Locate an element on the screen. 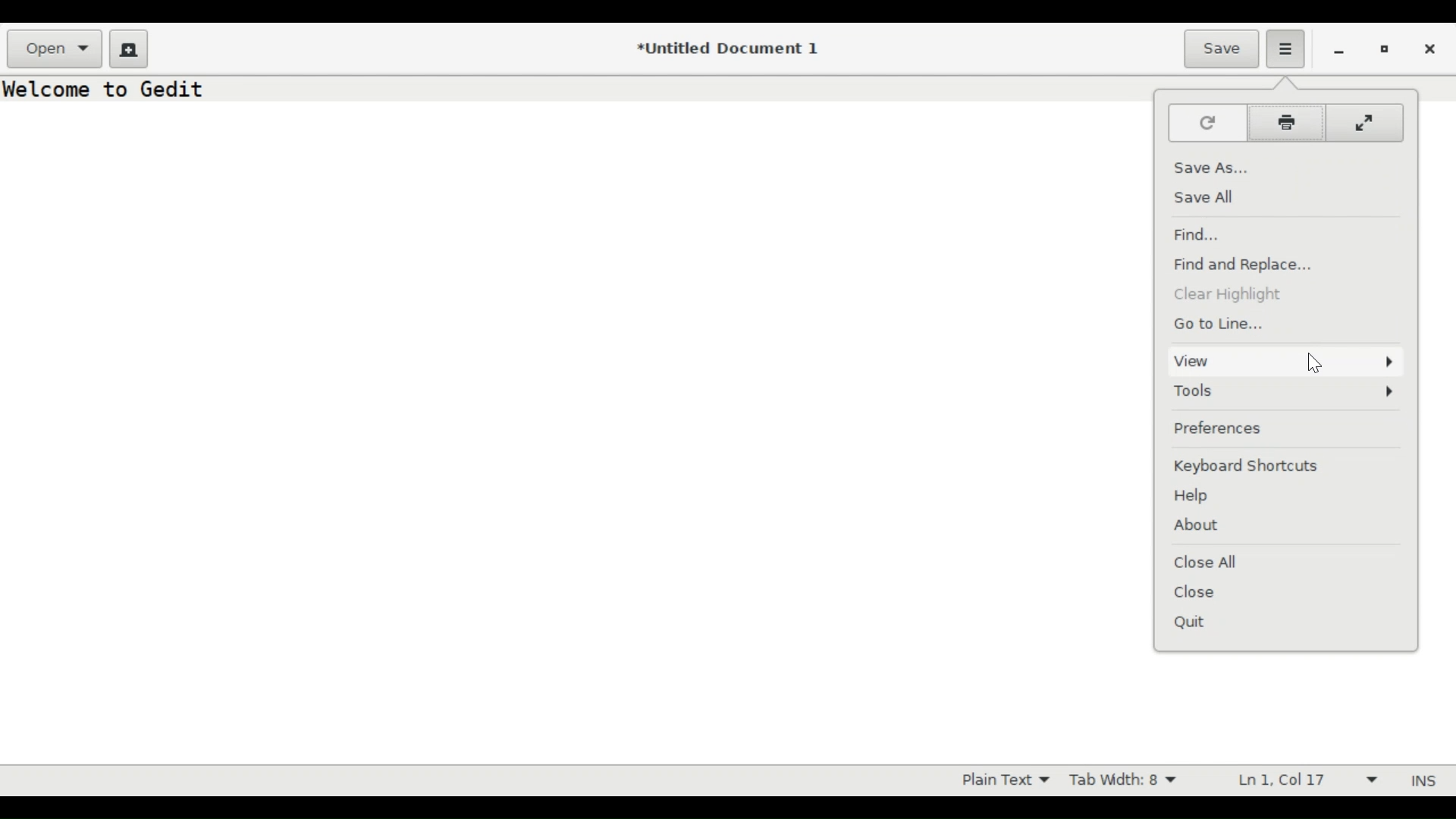 This screenshot has height=819, width=1456. Close is located at coordinates (1196, 594).